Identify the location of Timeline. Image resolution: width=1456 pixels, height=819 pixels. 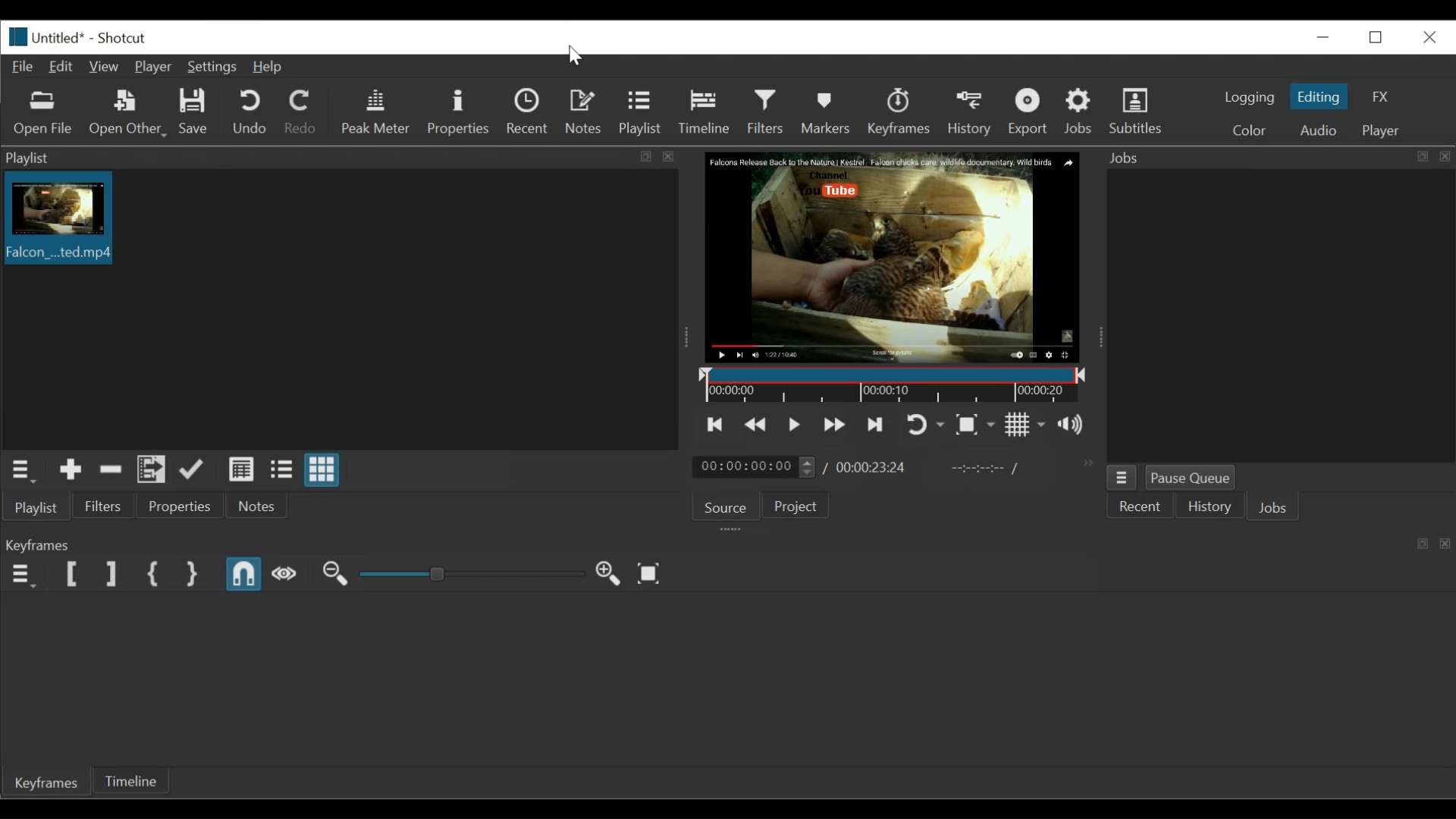
(708, 111).